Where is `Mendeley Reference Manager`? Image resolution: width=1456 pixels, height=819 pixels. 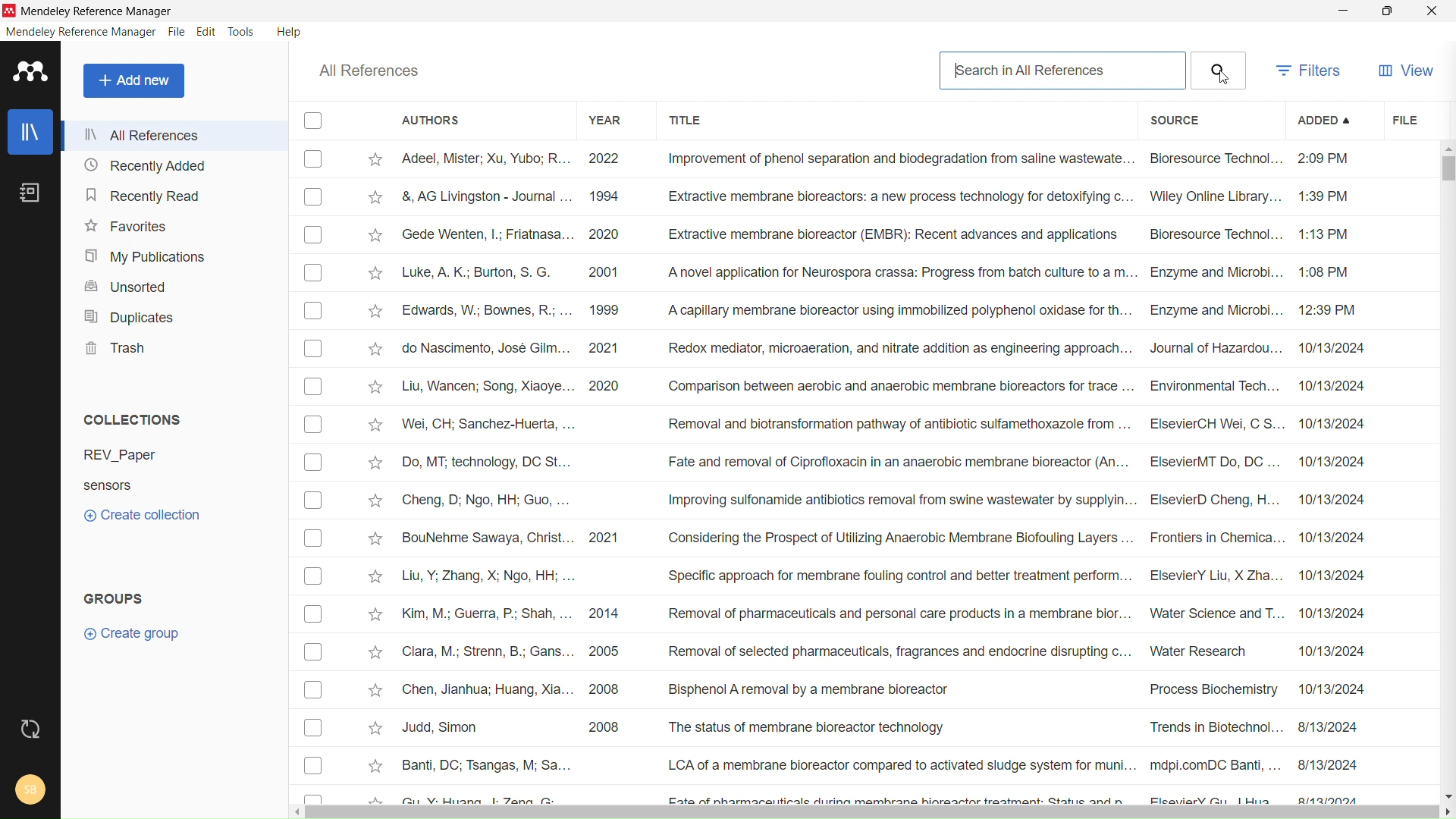 Mendeley Reference Manager is located at coordinates (111, 10).